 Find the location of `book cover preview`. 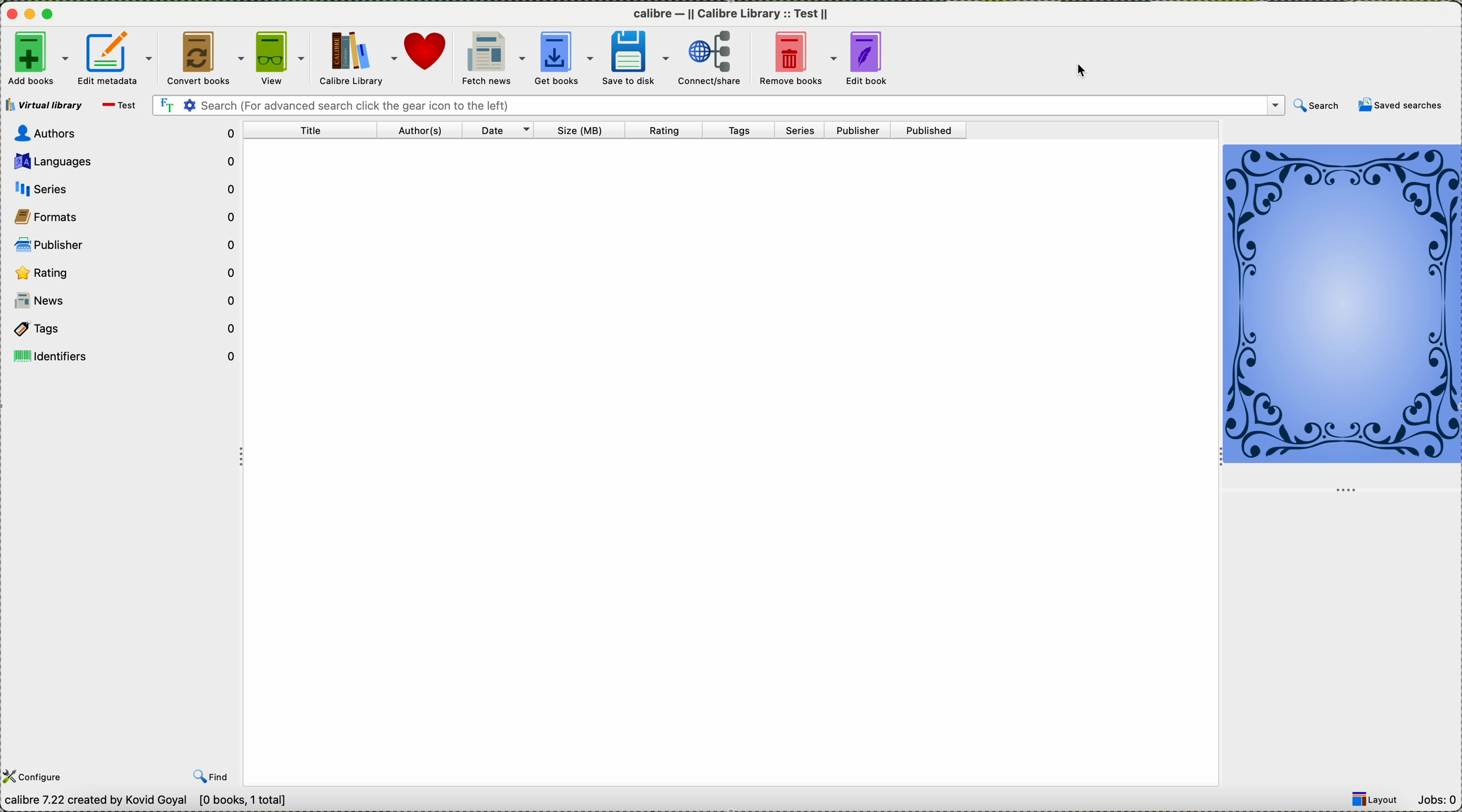

book cover preview is located at coordinates (1343, 304).